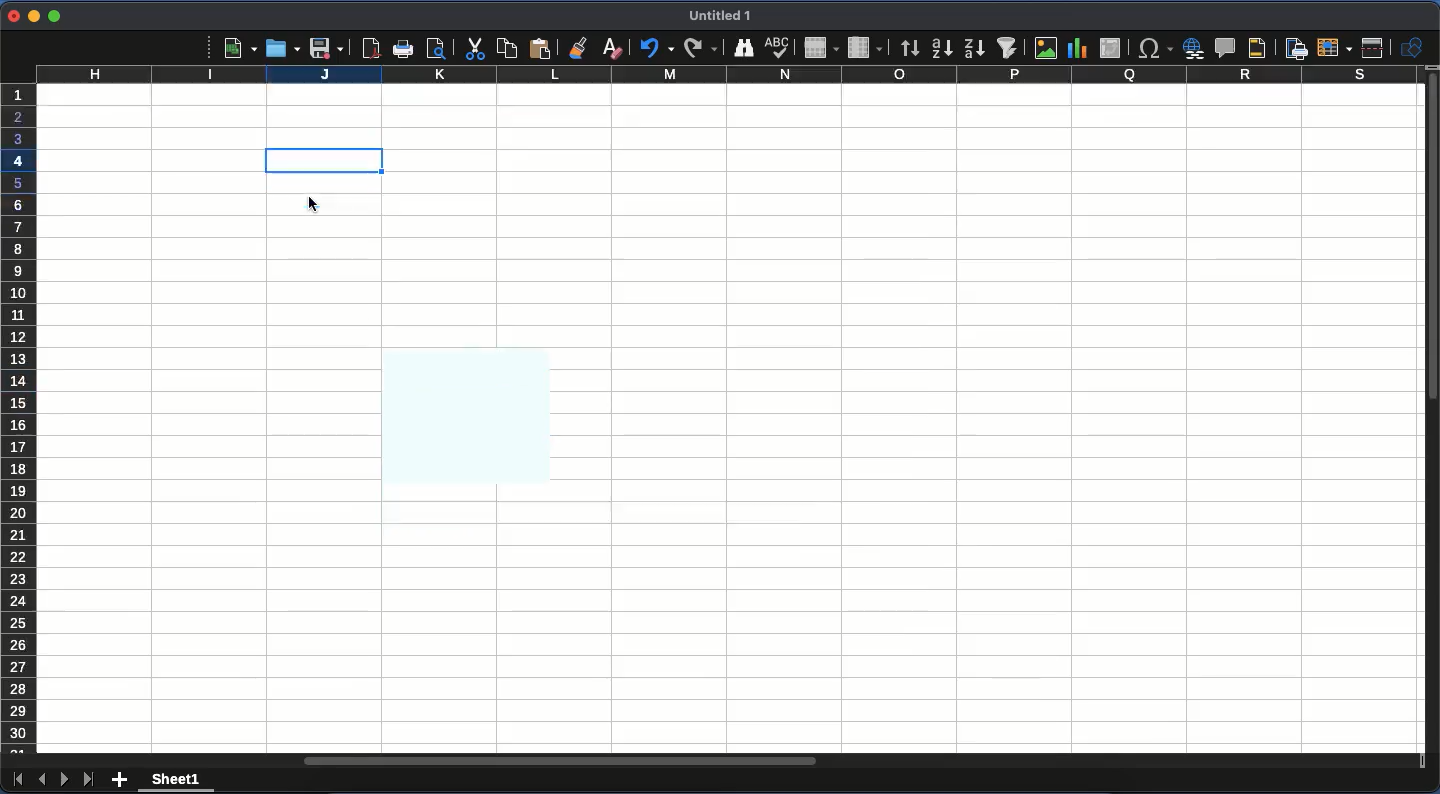 Image resolution: width=1440 pixels, height=794 pixels. What do you see at coordinates (780, 48) in the screenshot?
I see `spell check` at bounding box center [780, 48].